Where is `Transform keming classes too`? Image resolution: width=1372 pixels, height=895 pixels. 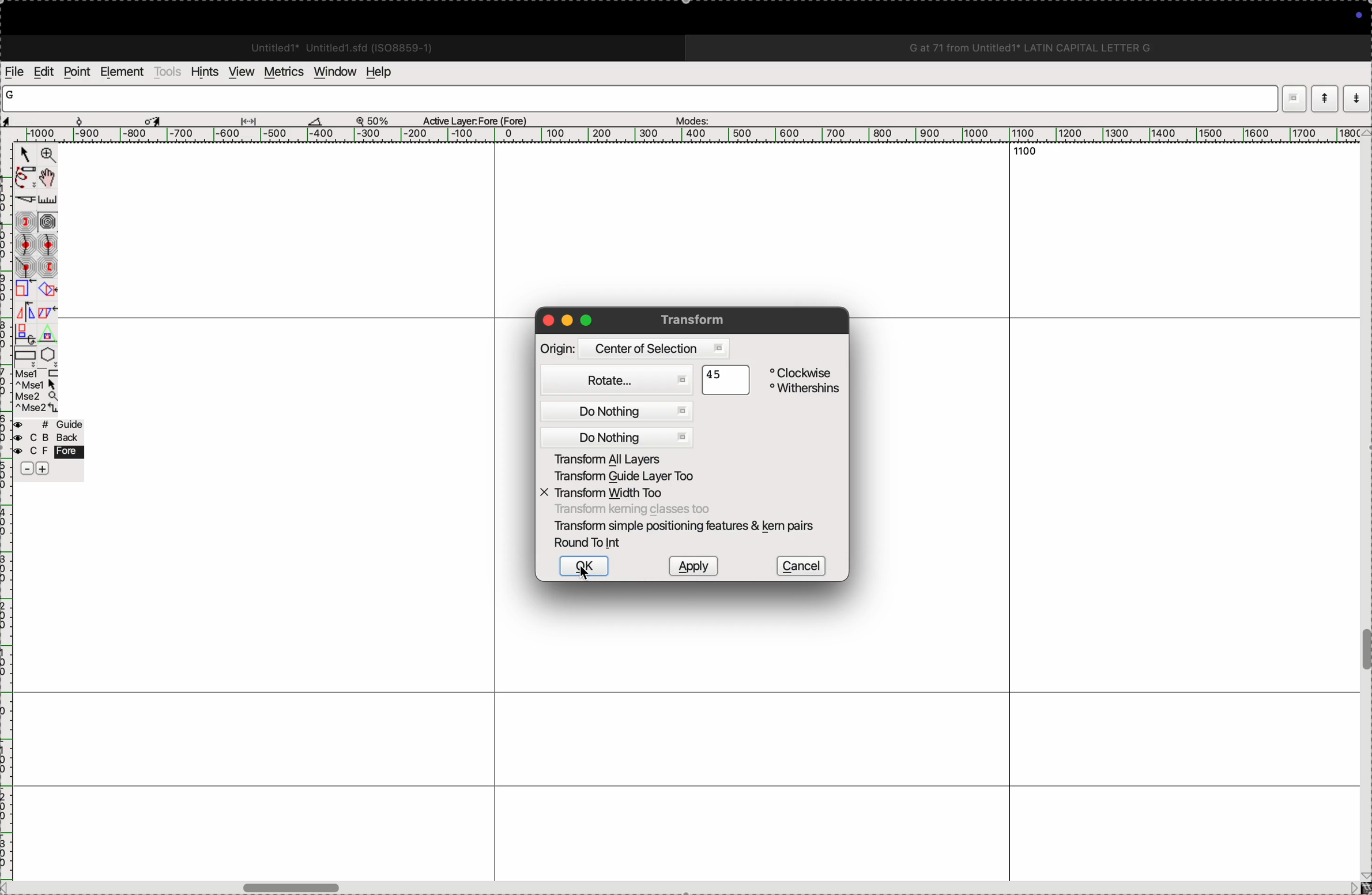
Transform keming classes too is located at coordinates (653, 508).